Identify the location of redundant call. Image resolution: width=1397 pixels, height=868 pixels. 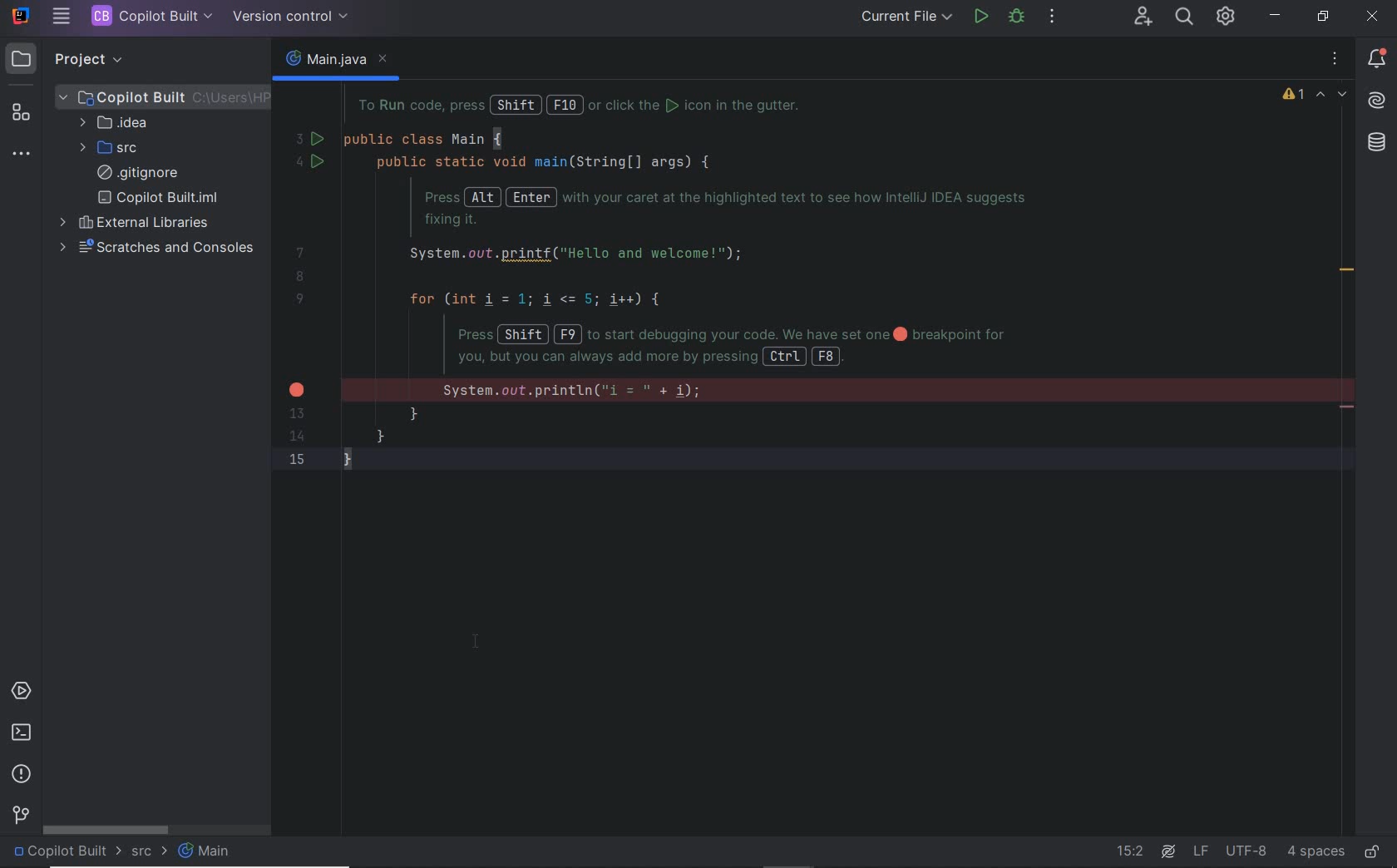
(1347, 272).